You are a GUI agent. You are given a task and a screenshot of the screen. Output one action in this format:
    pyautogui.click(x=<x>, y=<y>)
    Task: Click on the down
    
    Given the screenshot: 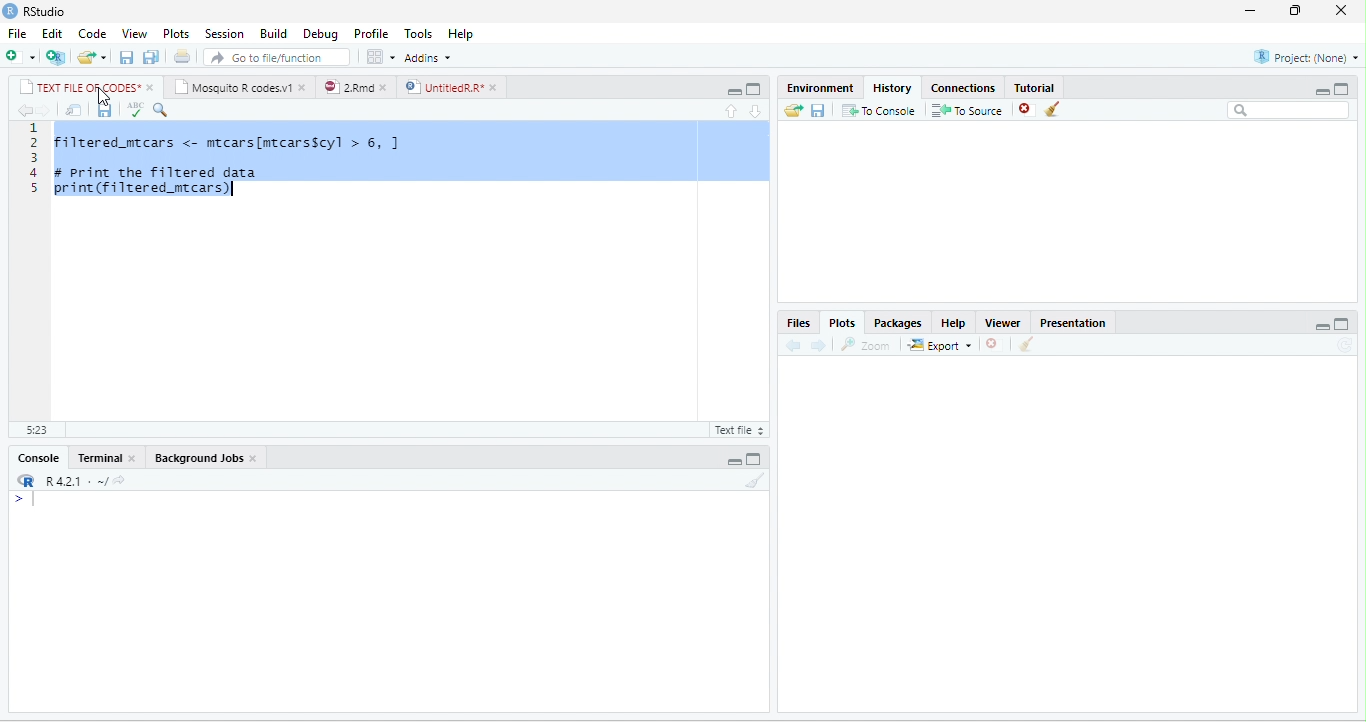 What is the action you would take?
    pyautogui.click(x=757, y=110)
    